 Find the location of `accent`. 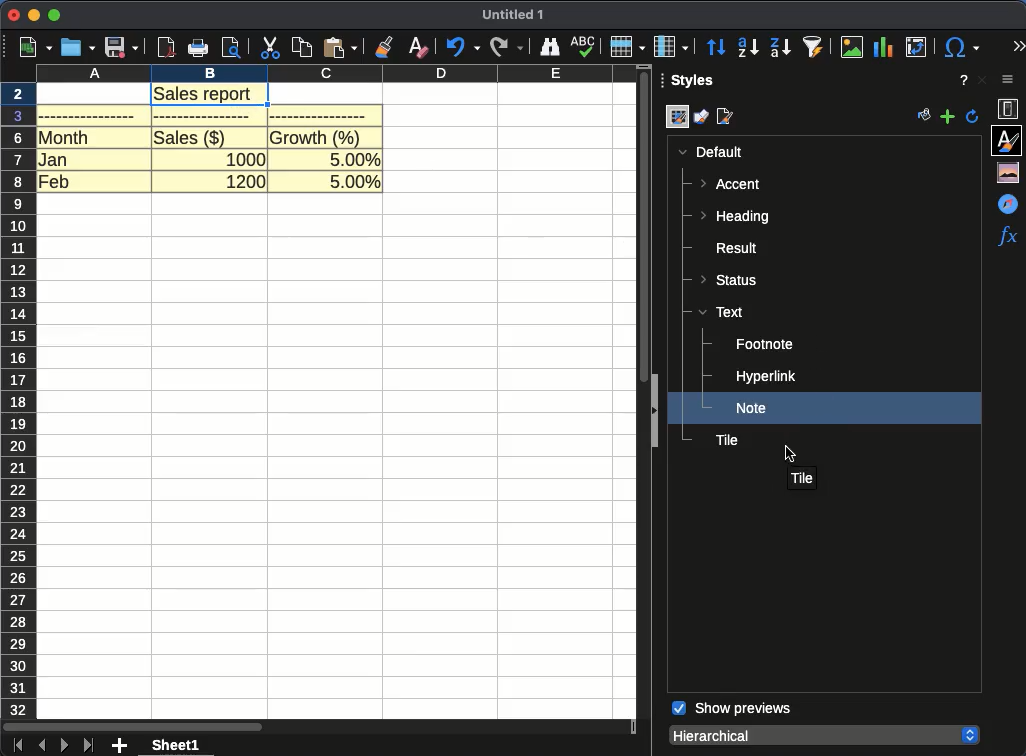

accent is located at coordinates (732, 184).